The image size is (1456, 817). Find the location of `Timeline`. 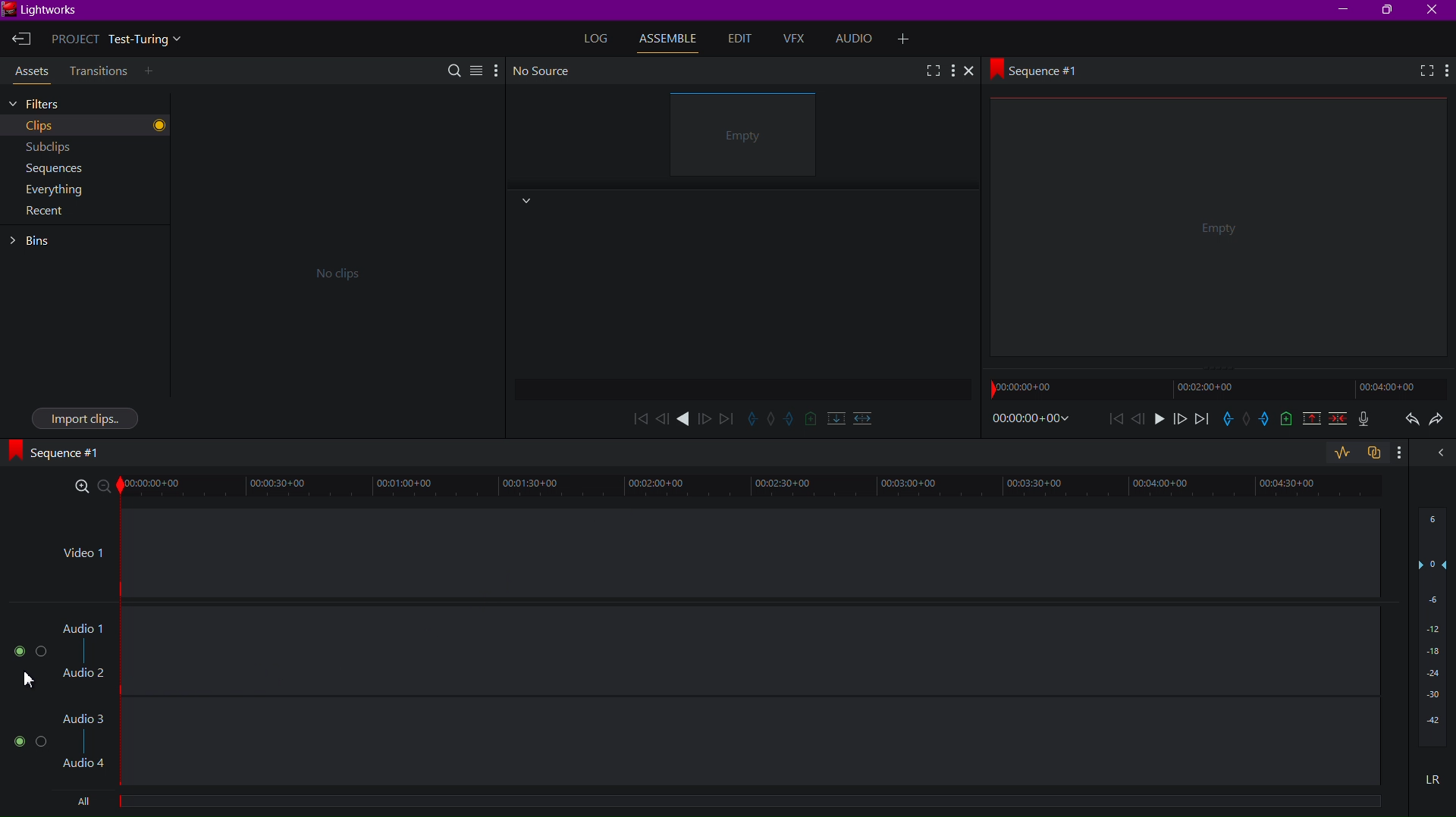

Timeline is located at coordinates (755, 807).